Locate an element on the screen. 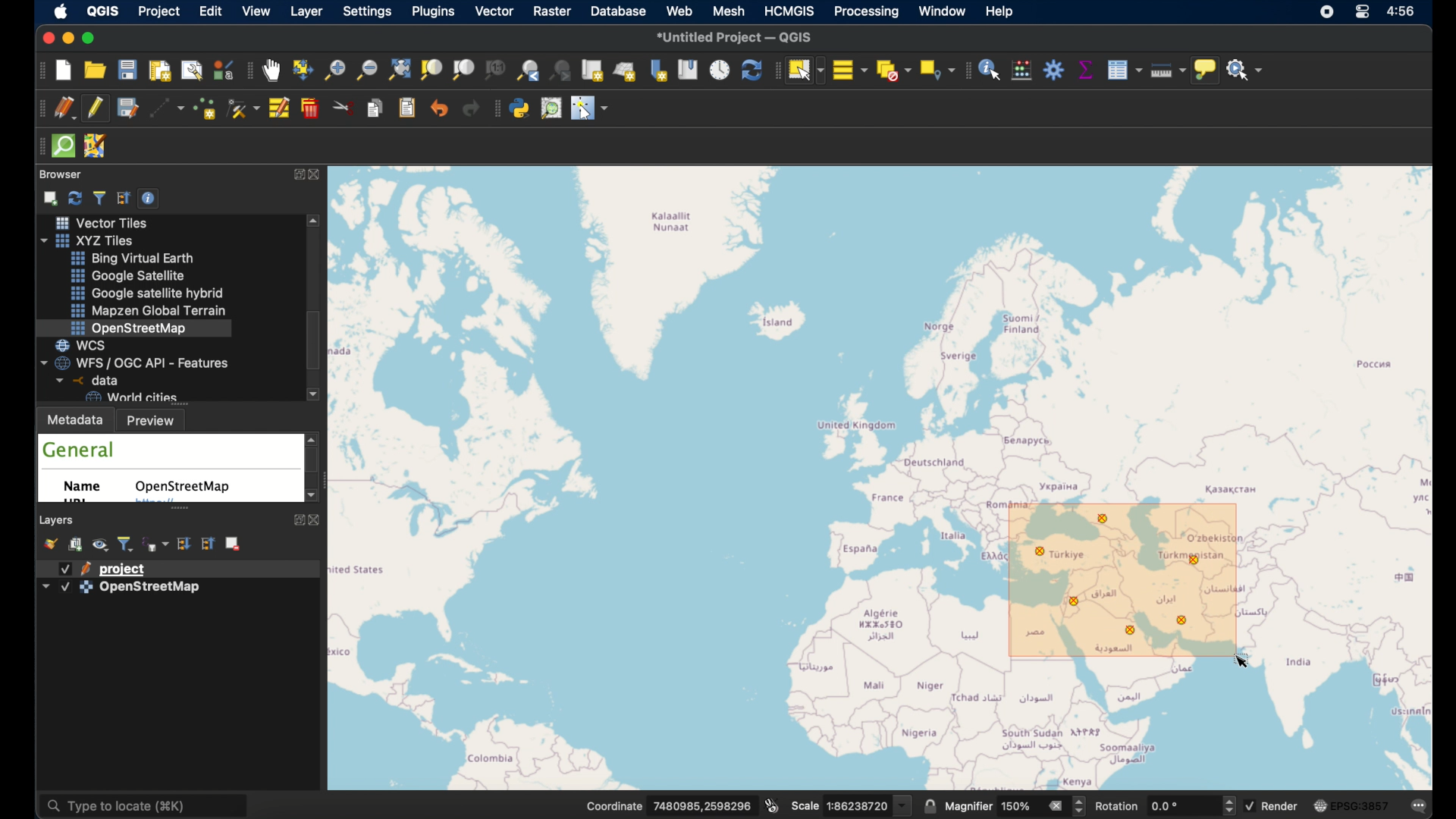 This screenshot has height=819, width=1456. messages is located at coordinates (1419, 804).